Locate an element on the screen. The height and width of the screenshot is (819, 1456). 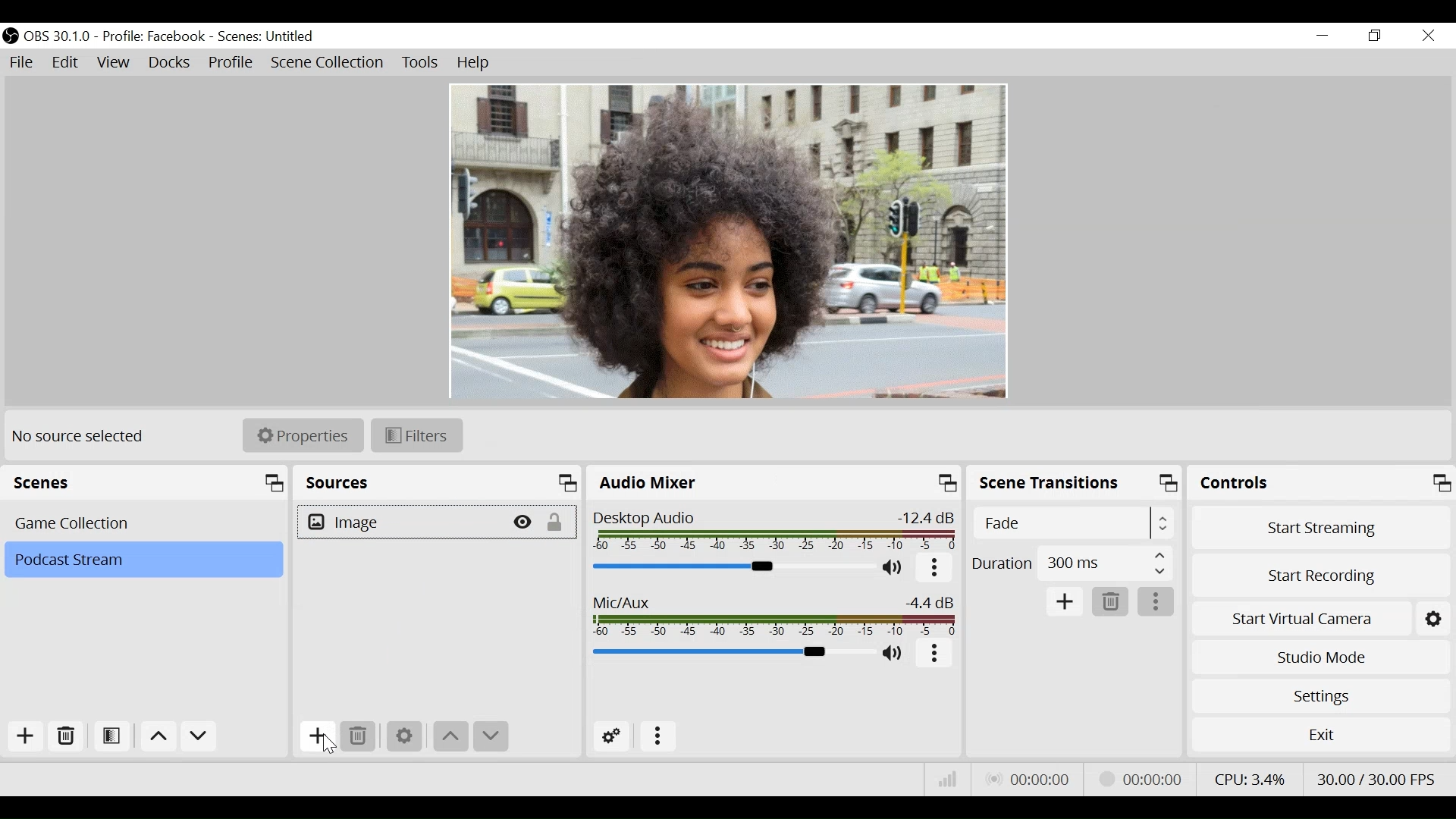
Help is located at coordinates (474, 63).